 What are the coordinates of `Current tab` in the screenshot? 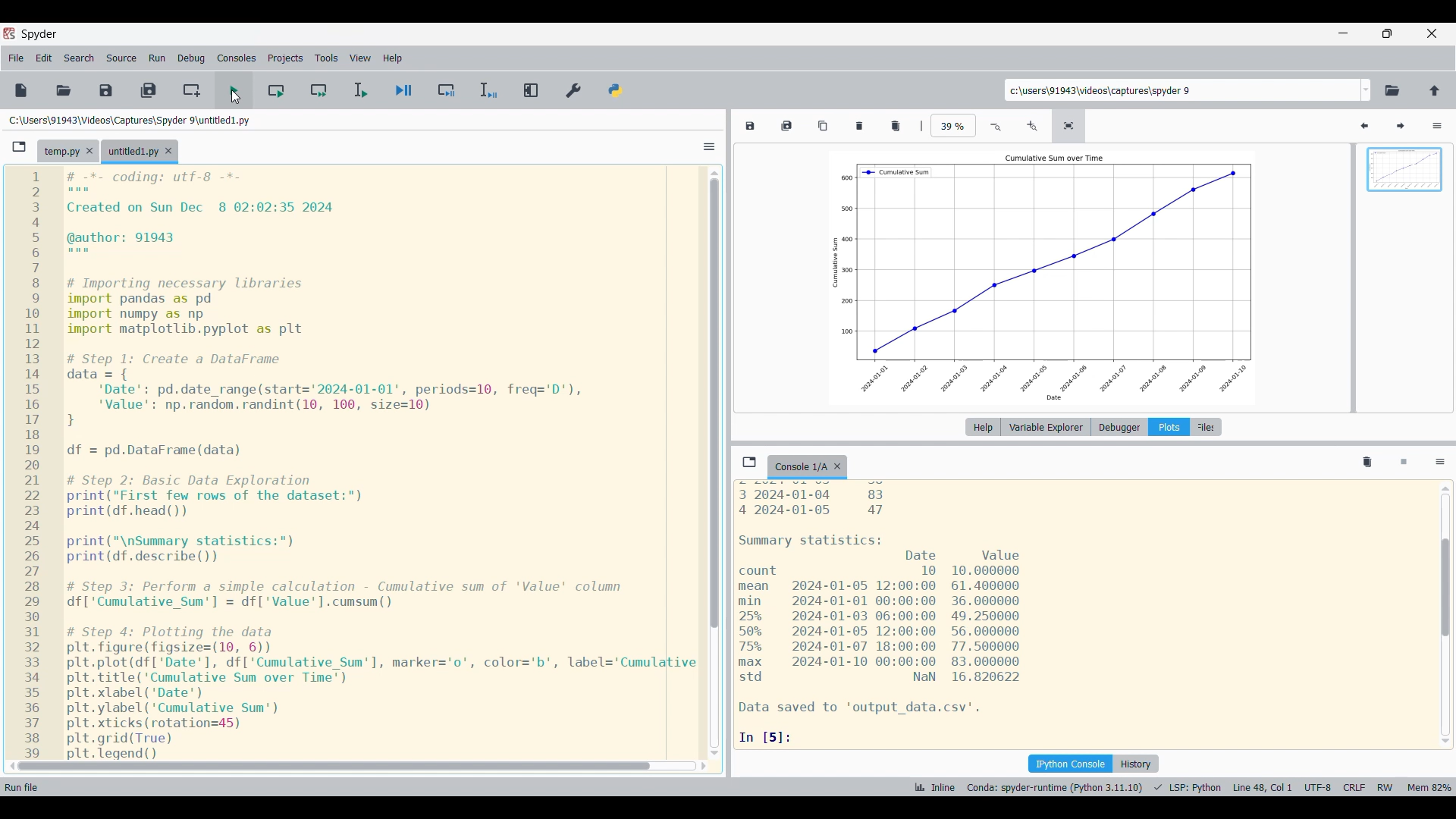 It's located at (61, 152).